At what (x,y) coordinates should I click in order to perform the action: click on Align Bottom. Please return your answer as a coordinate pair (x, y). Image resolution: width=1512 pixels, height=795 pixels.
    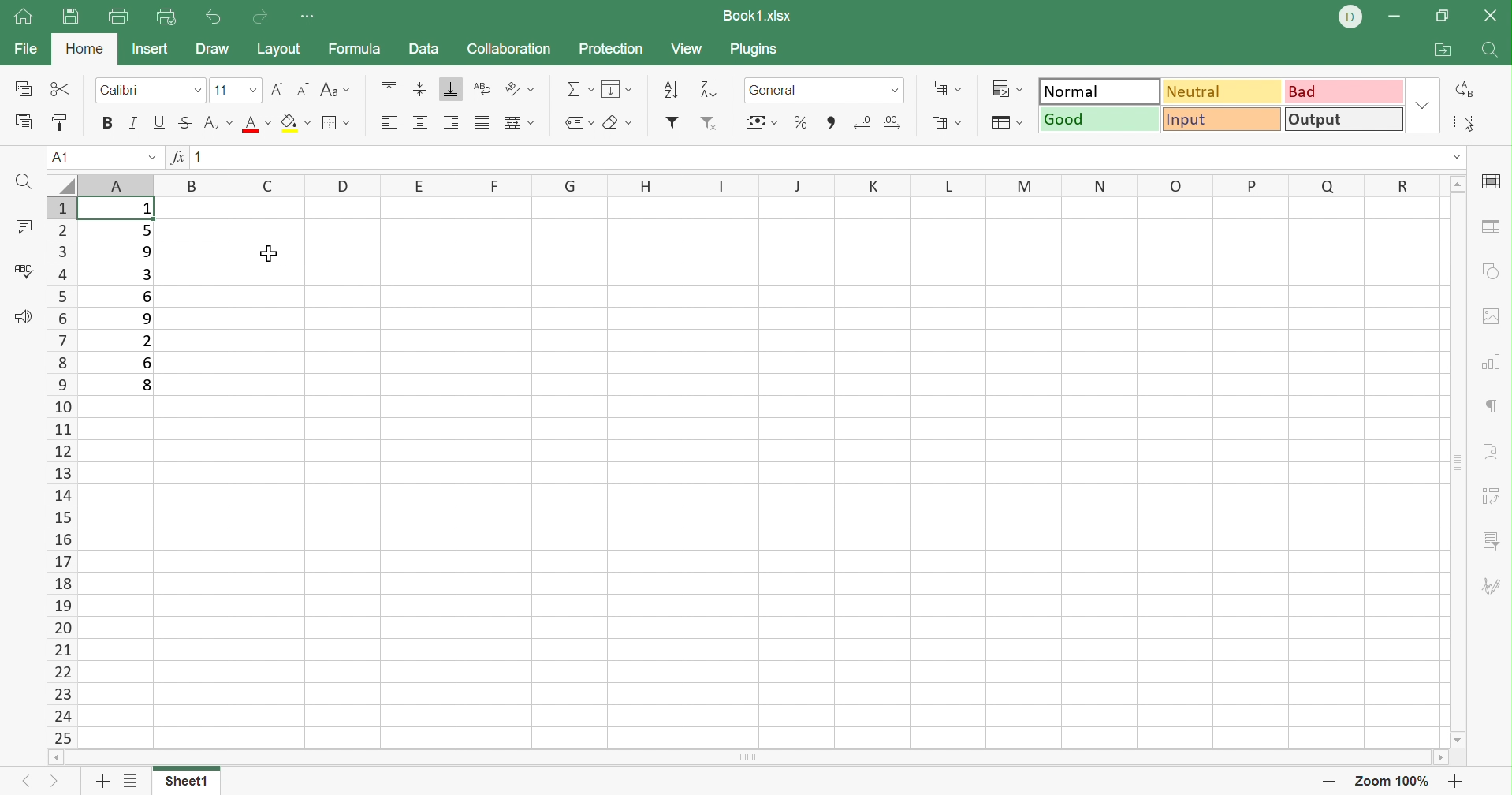
    Looking at the image, I should click on (450, 89).